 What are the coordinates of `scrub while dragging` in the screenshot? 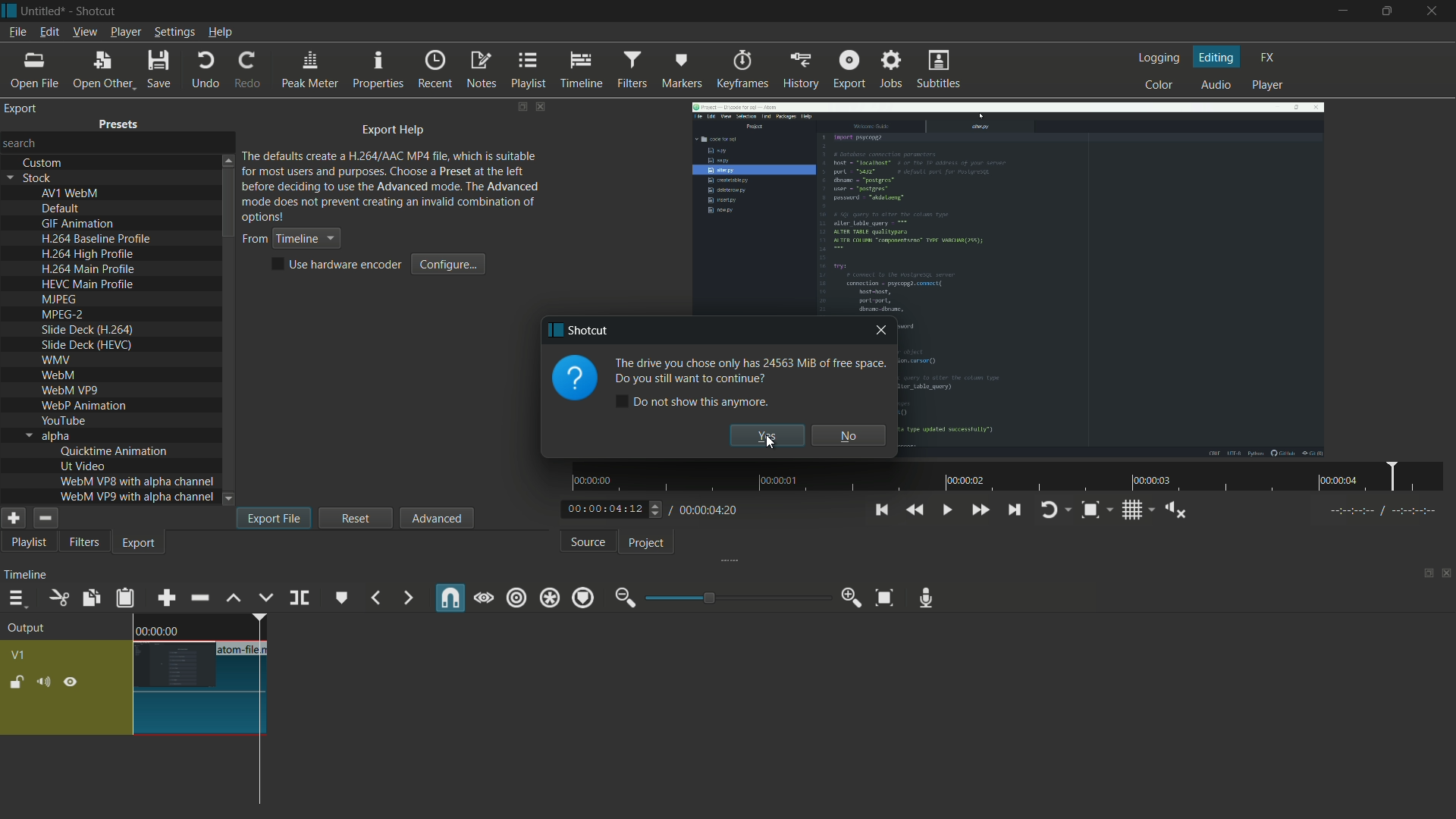 It's located at (485, 599).